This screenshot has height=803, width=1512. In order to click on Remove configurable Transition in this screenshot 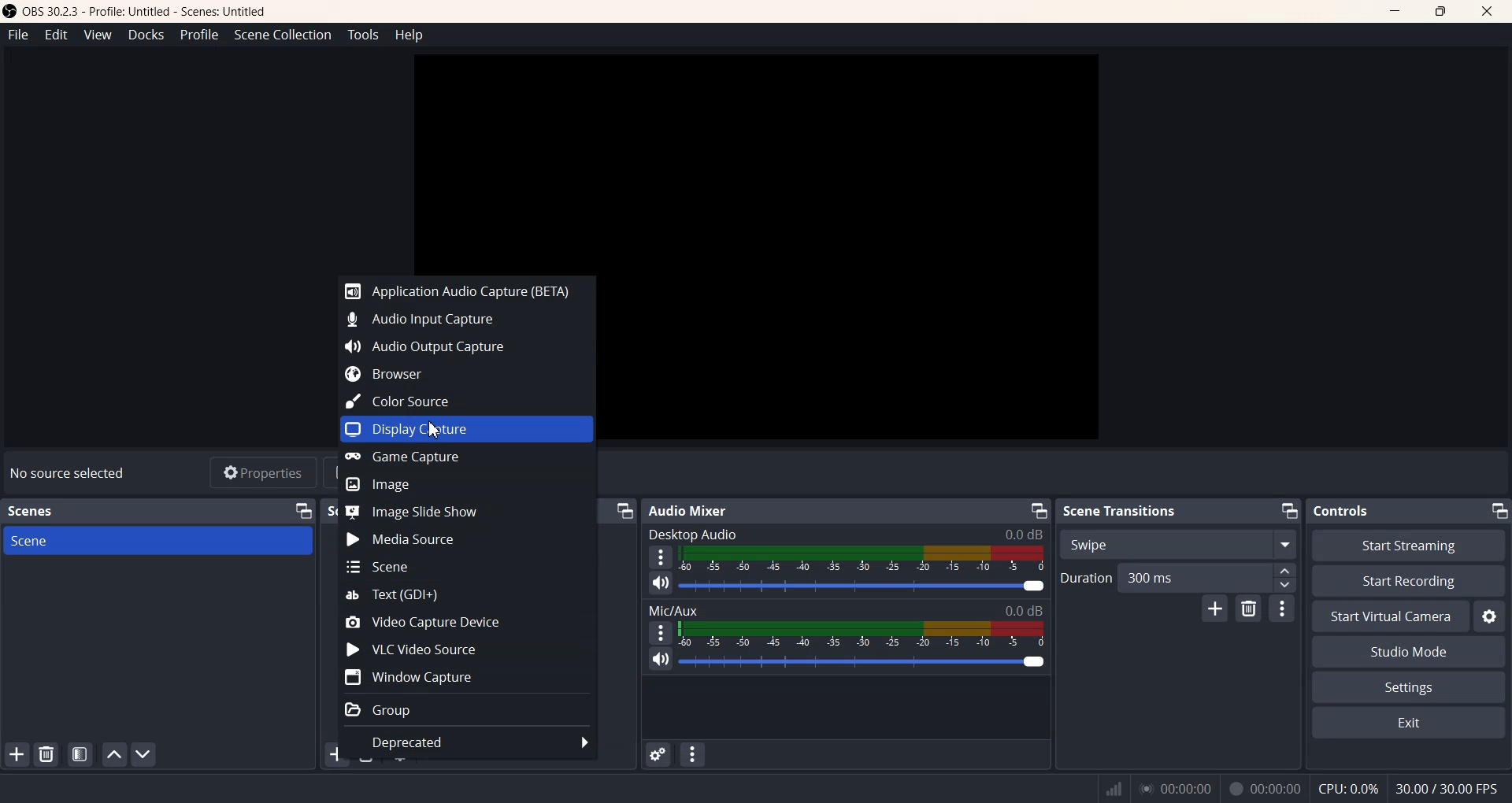, I will do `click(1249, 609)`.